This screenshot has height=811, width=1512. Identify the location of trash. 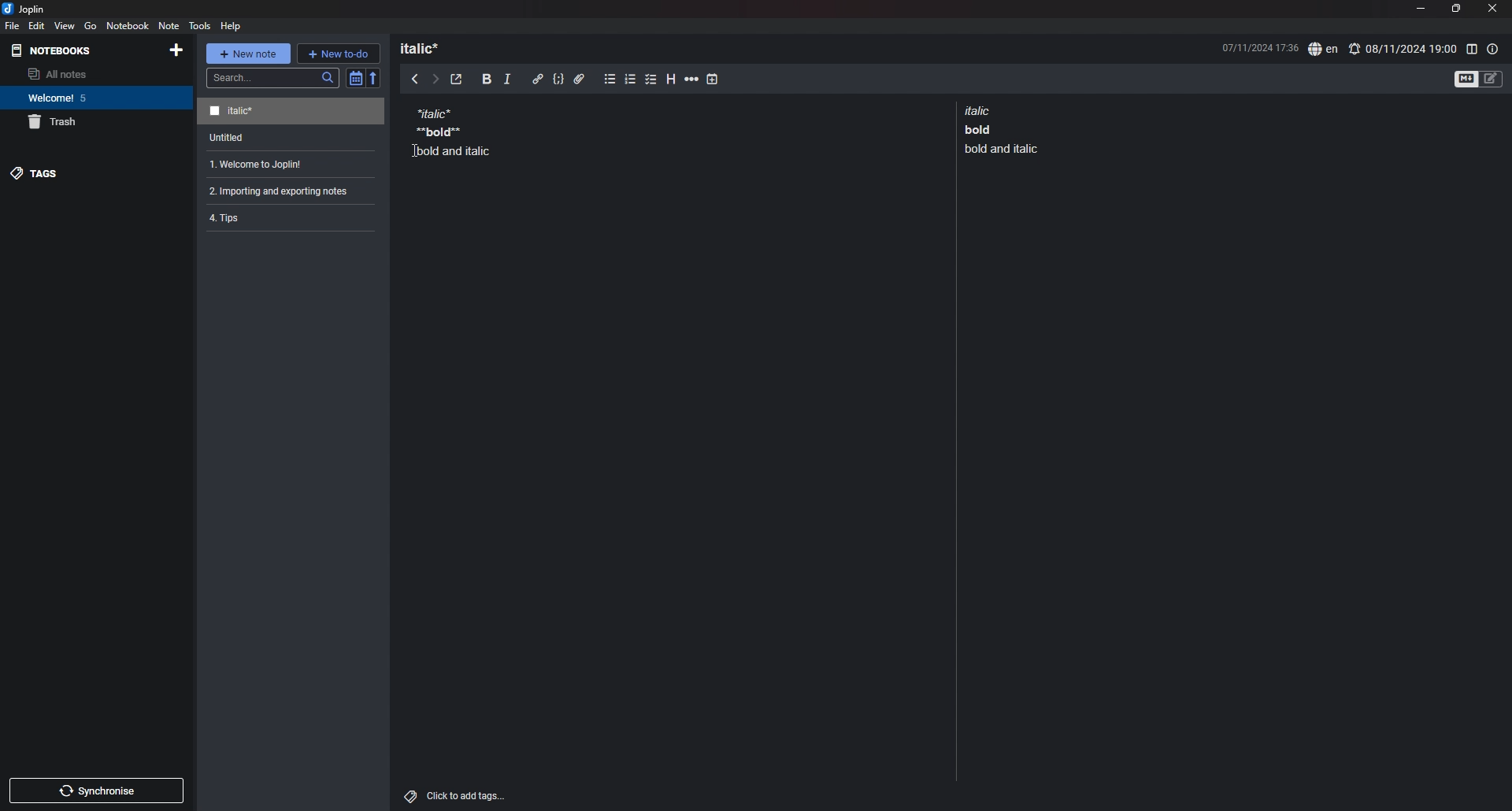
(97, 122).